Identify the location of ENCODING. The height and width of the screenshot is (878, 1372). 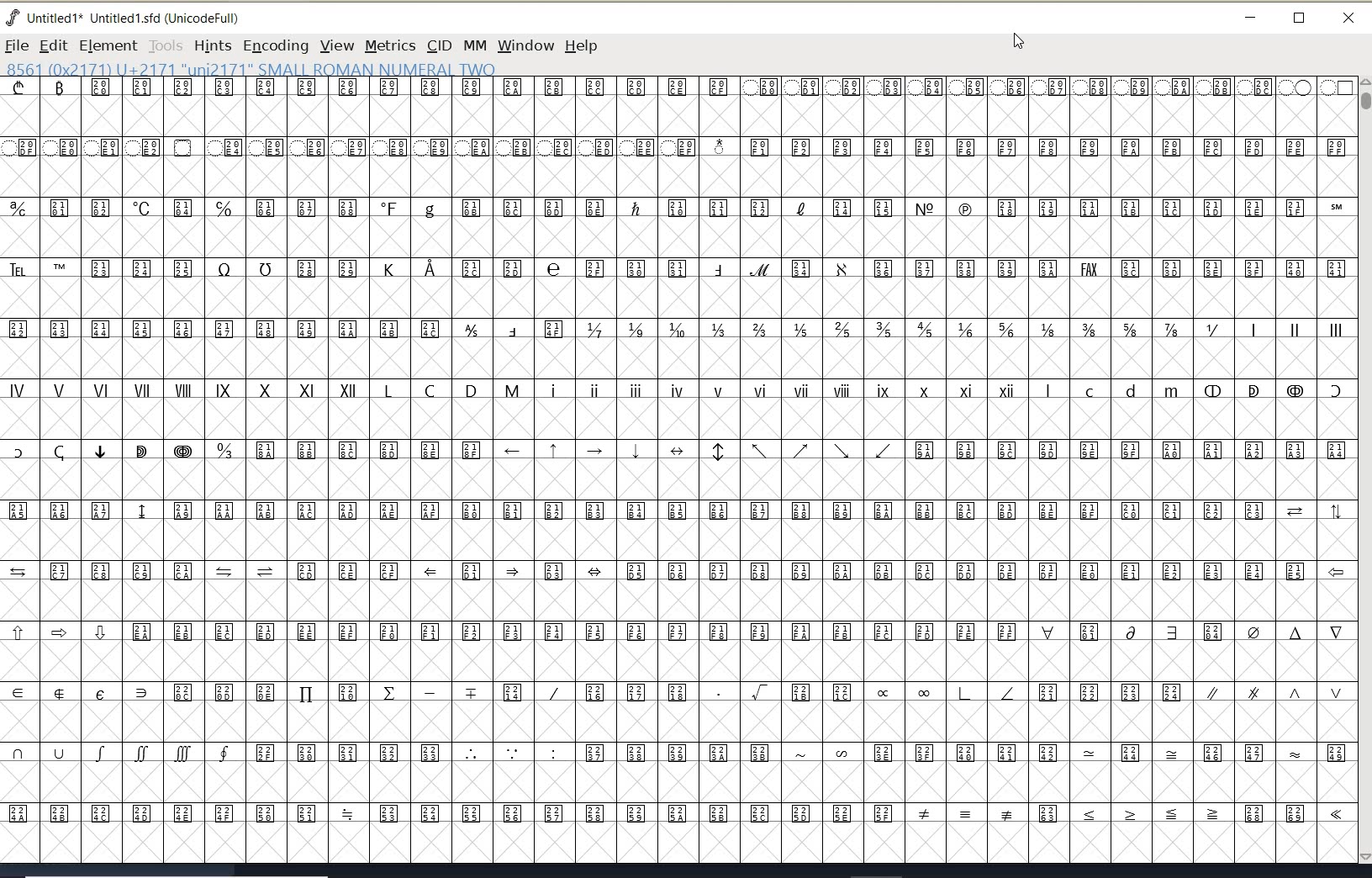
(276, 46).